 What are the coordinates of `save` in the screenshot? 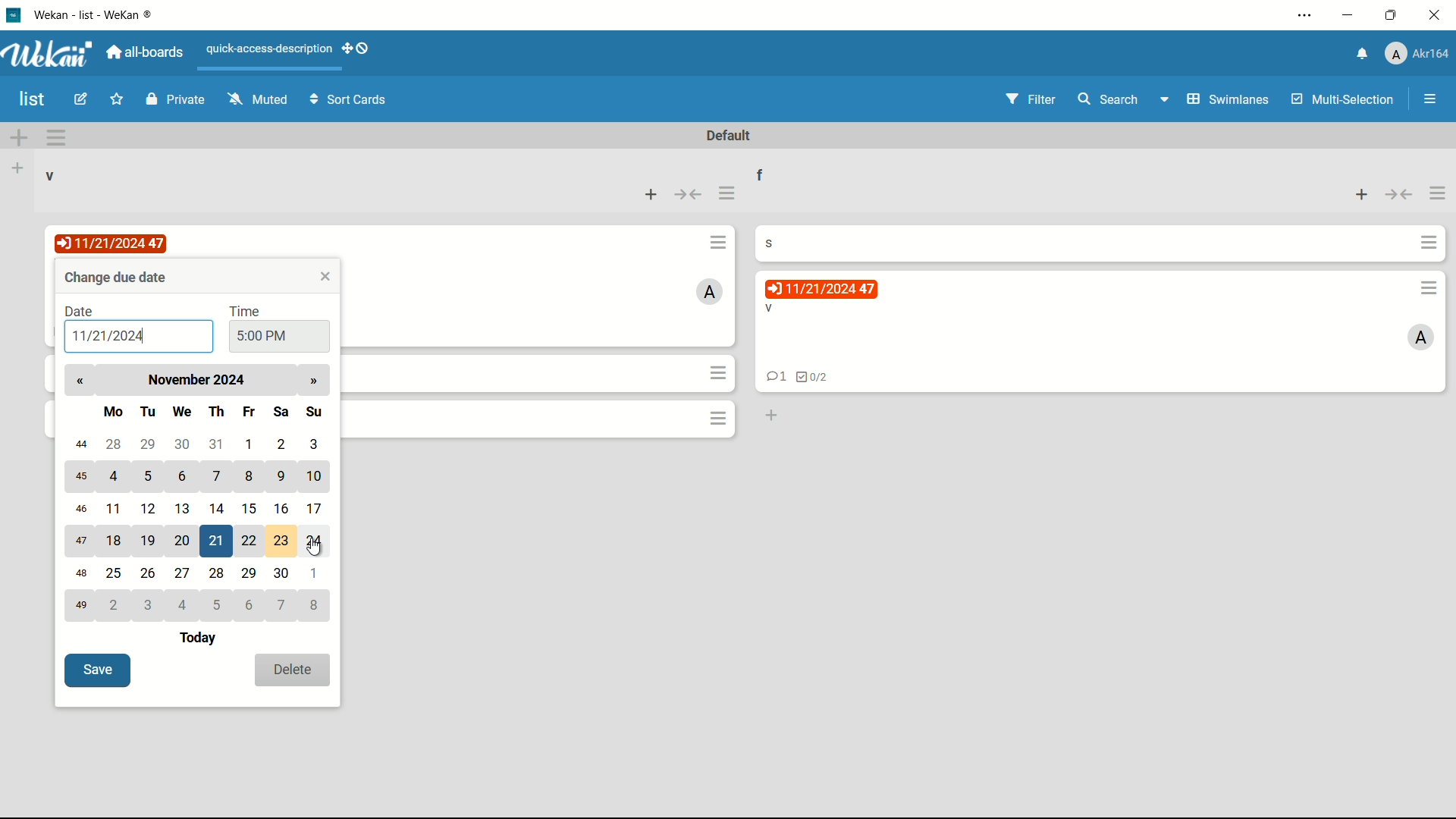 It's located at (97, 671).